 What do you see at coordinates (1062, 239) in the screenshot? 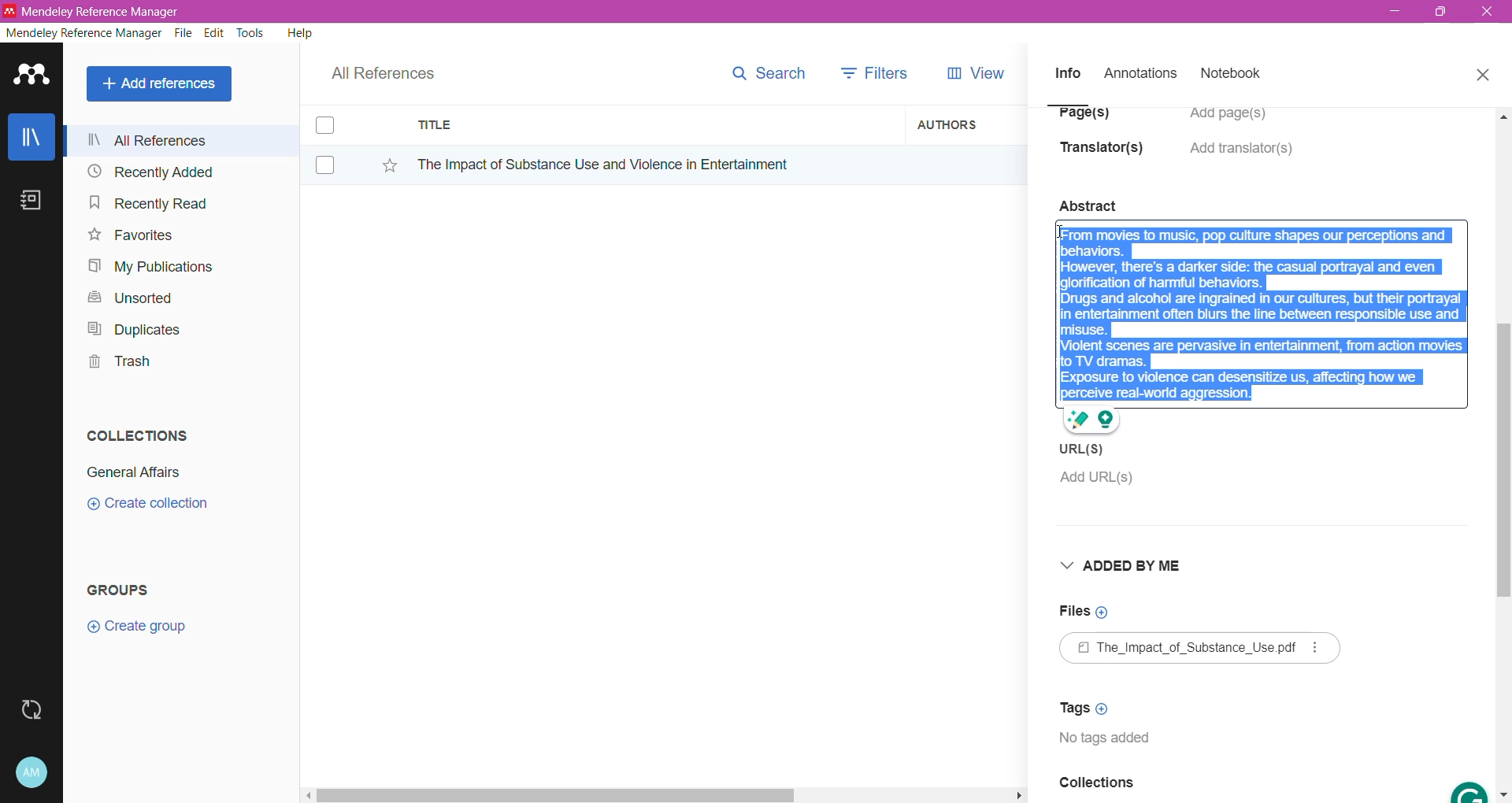
I see `Cursor` at bounding box center [1062, 239].